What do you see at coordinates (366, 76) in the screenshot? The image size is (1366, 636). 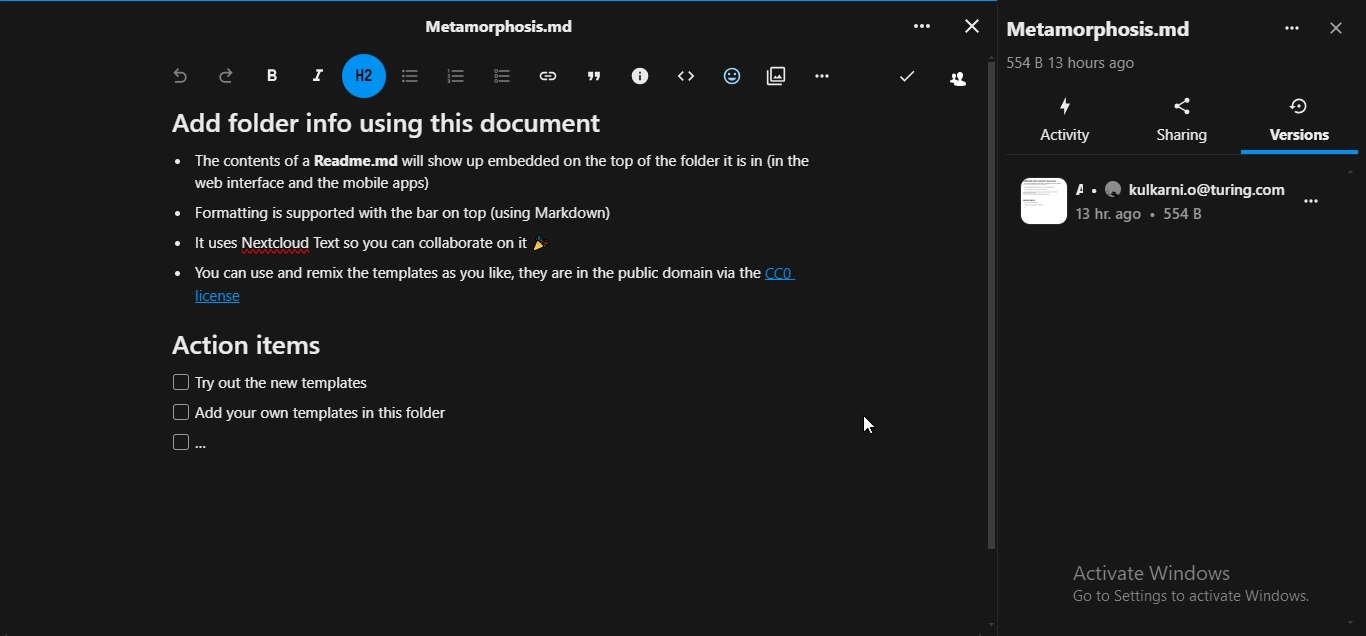 I see `headings` at bounding box center [366, 76].